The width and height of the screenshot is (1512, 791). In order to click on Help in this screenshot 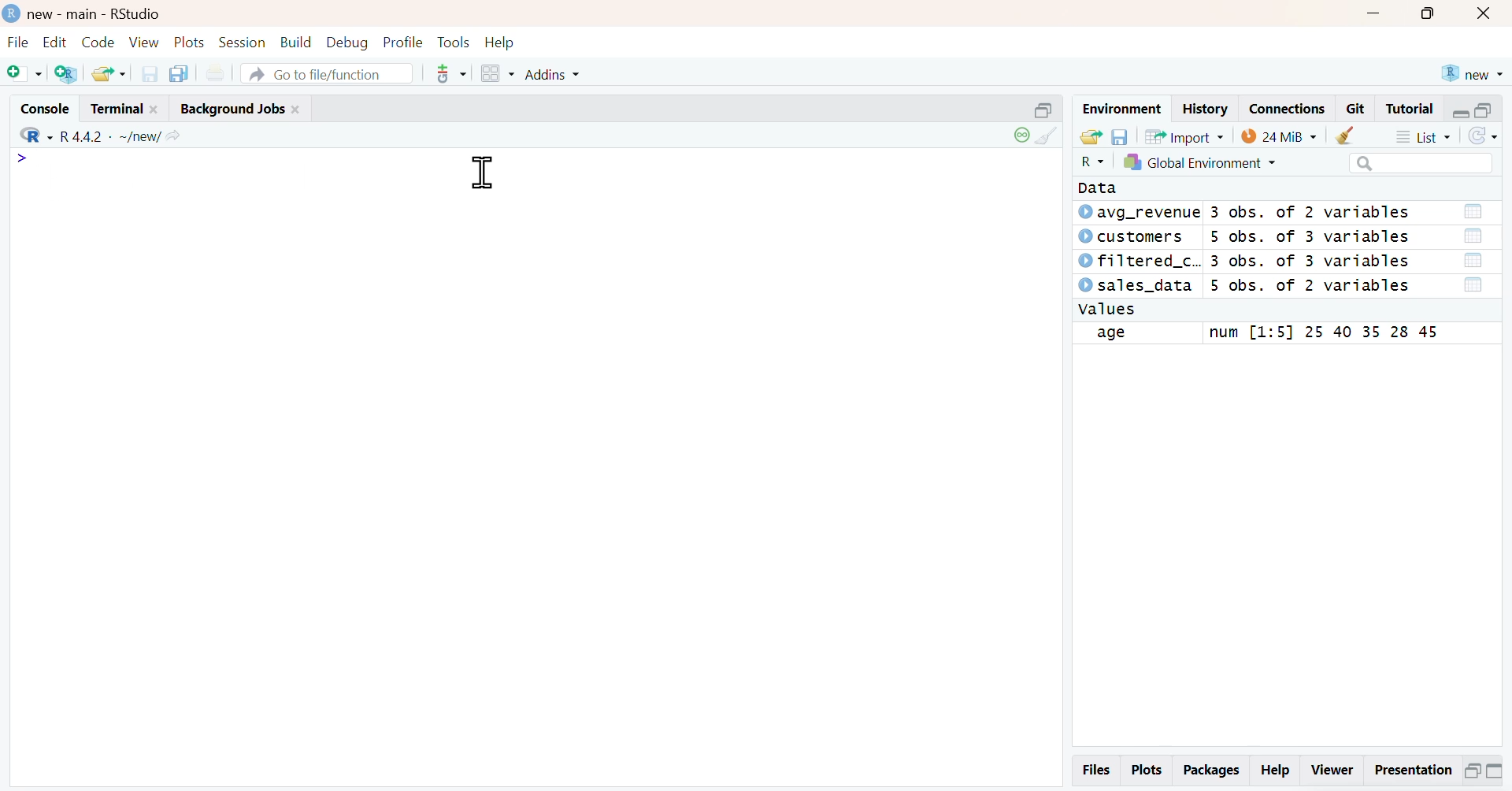, I will do `click(1274, 772)`.